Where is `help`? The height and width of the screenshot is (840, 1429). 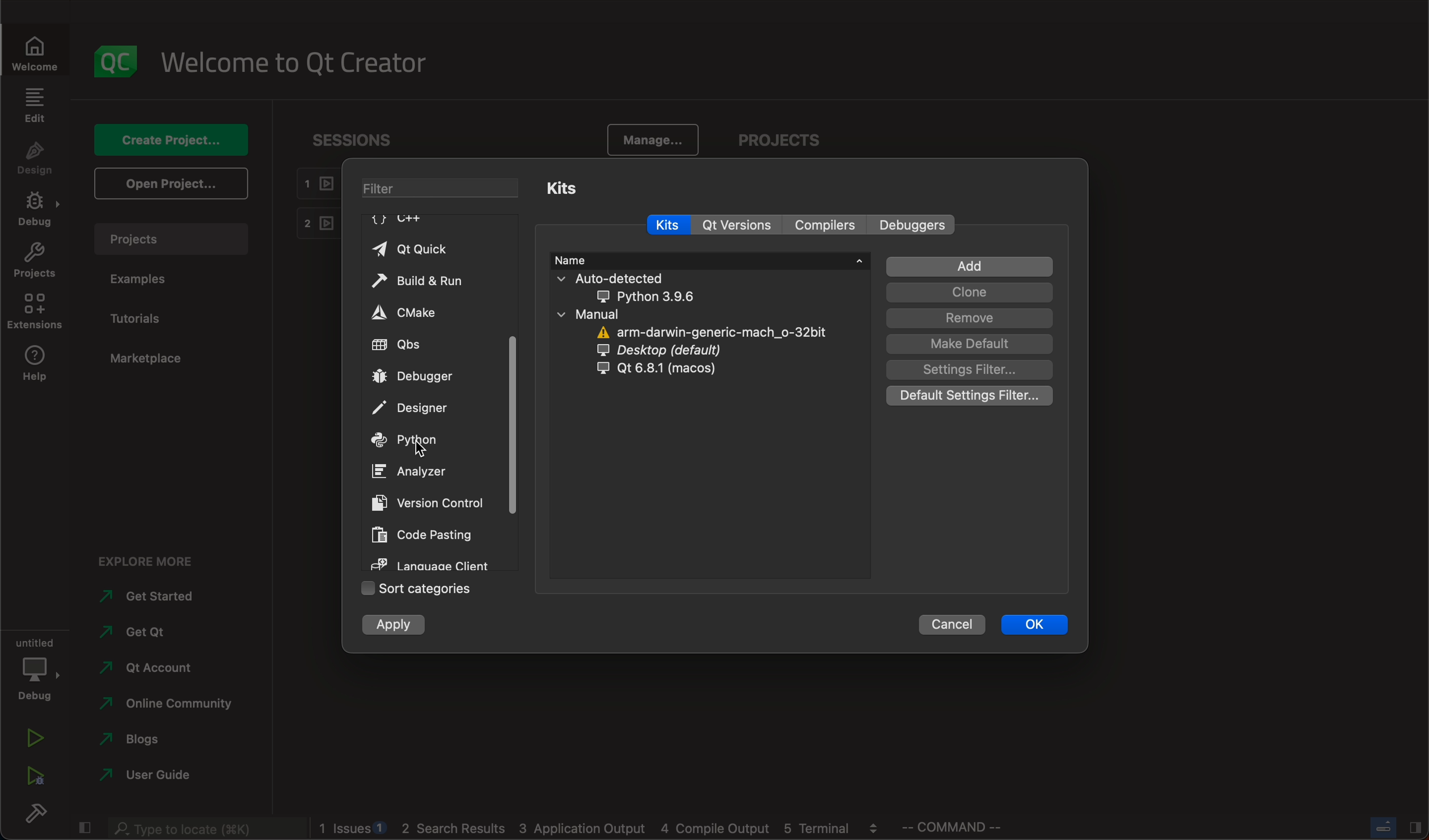 help is located at coordinates (33, 363).